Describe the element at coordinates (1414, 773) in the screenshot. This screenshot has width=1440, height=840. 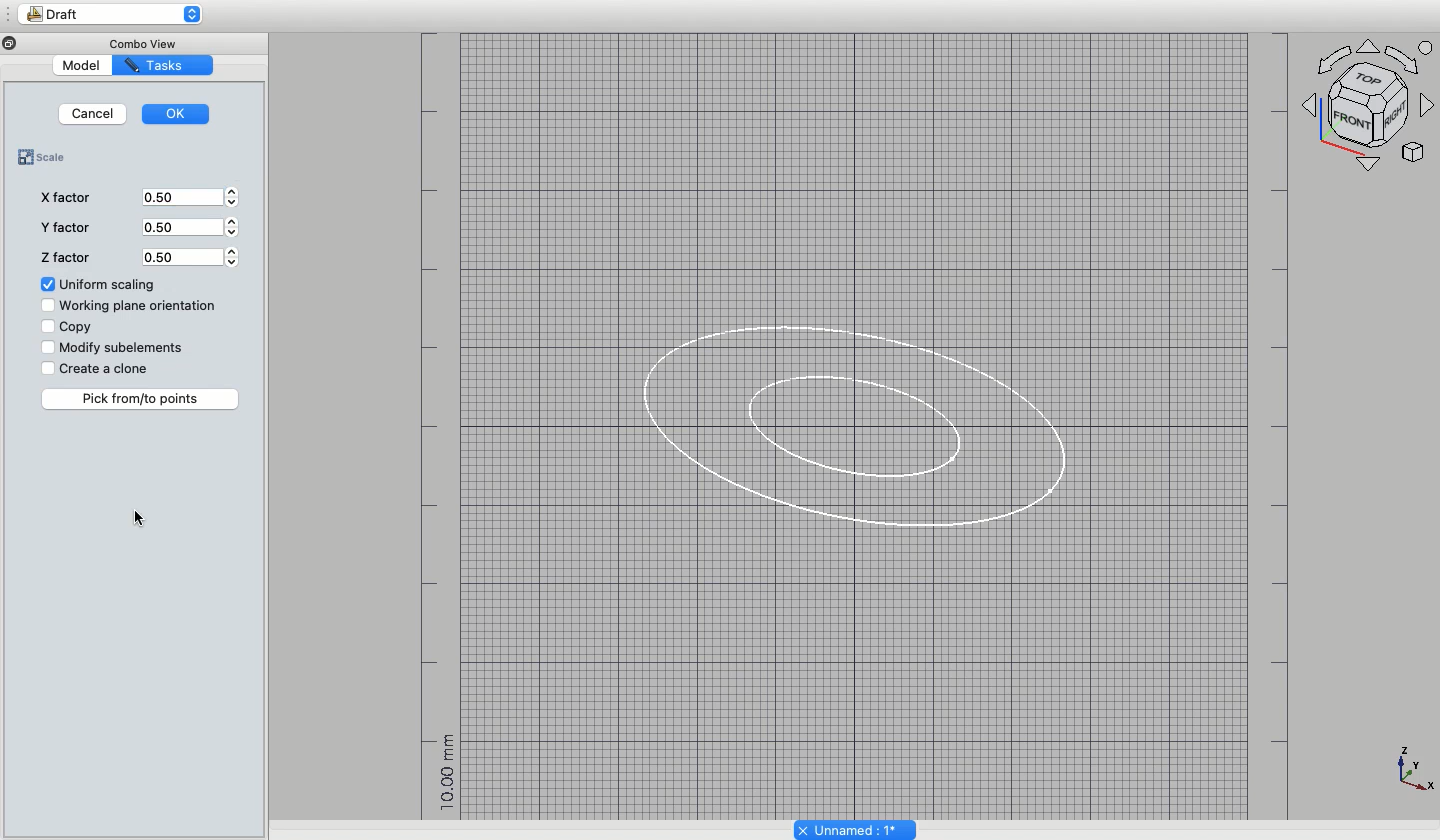
I see `Axes` at that location.